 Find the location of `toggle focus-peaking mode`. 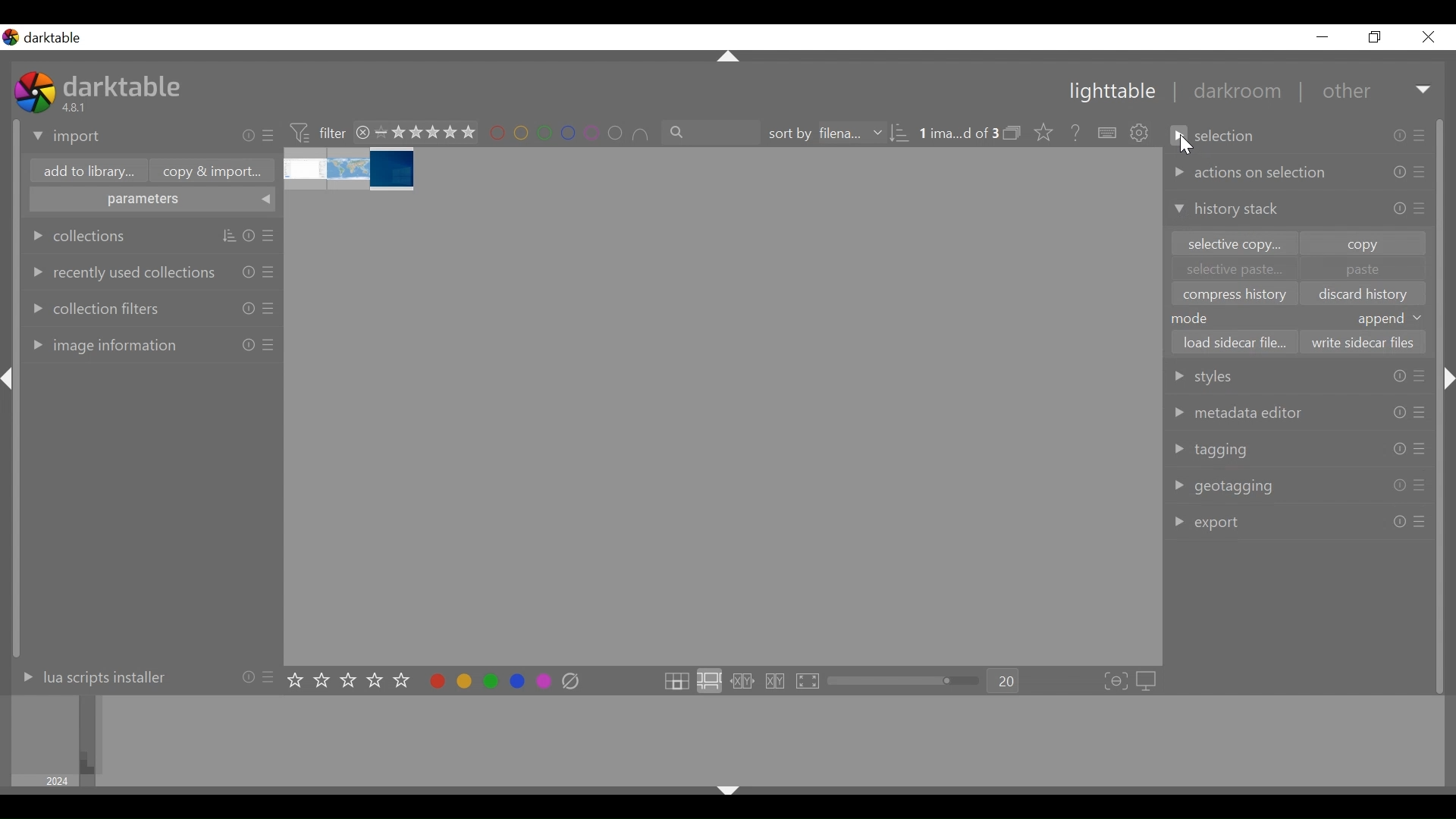

toggle focus-peaking mode is located at coordinates (1116, 682).